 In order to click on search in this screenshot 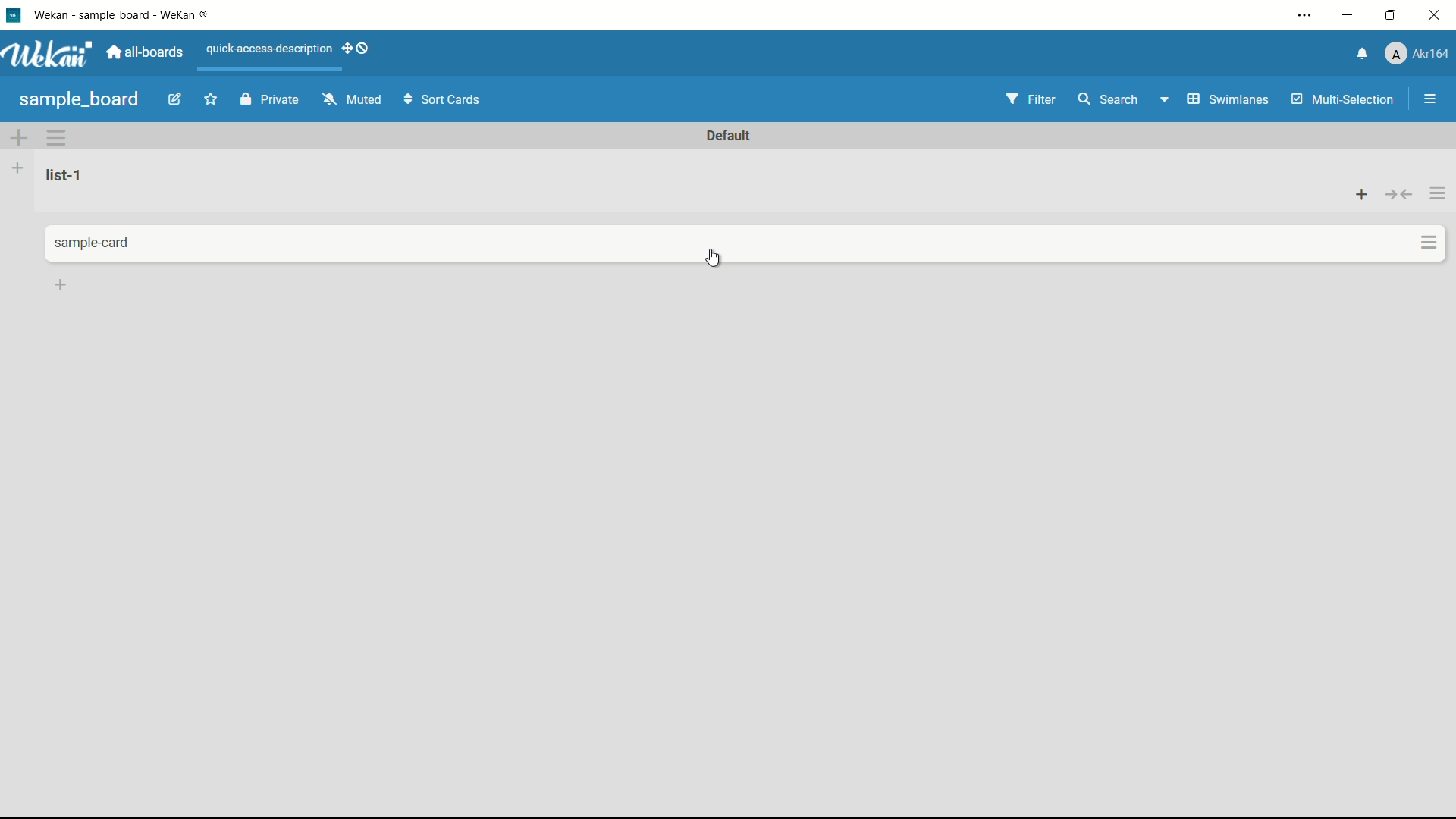, I will do `click(1106, 99)`.